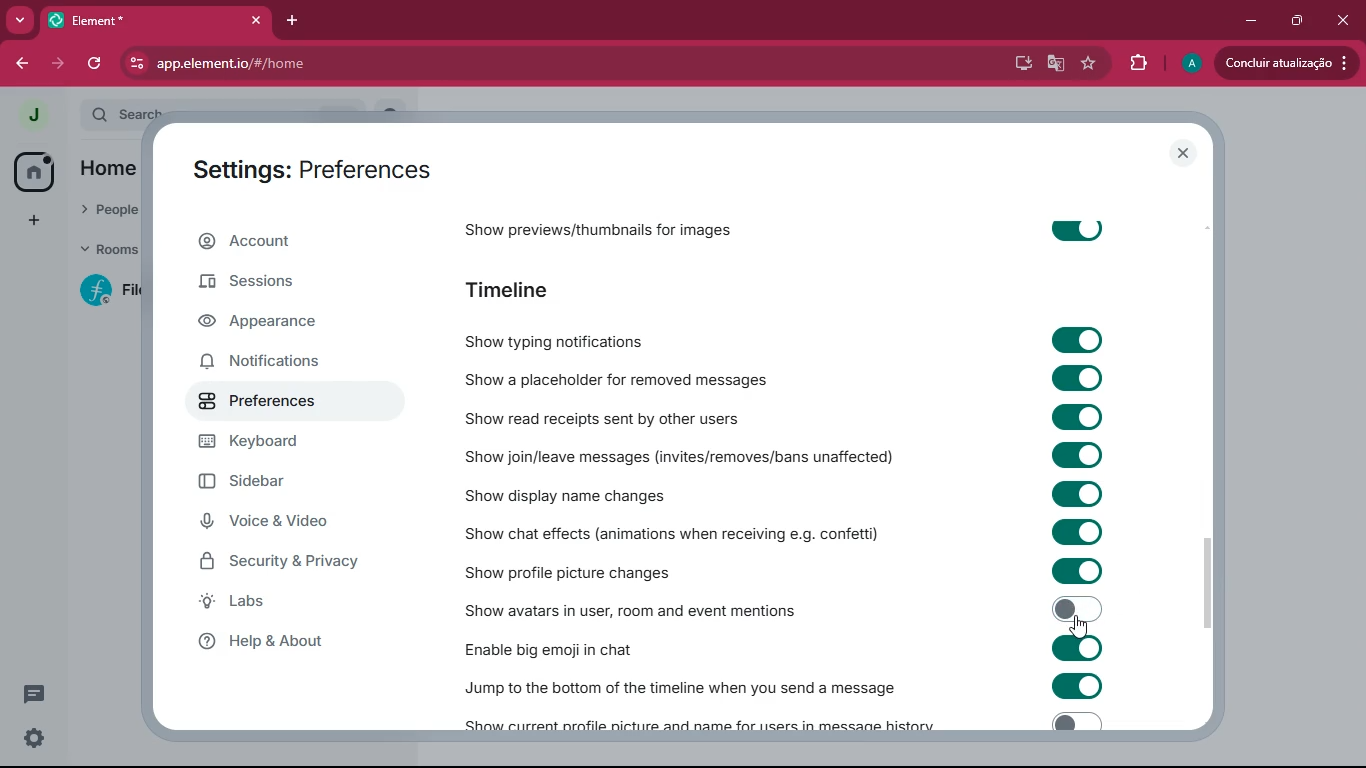  I want to click on a, so click(1192, 64).